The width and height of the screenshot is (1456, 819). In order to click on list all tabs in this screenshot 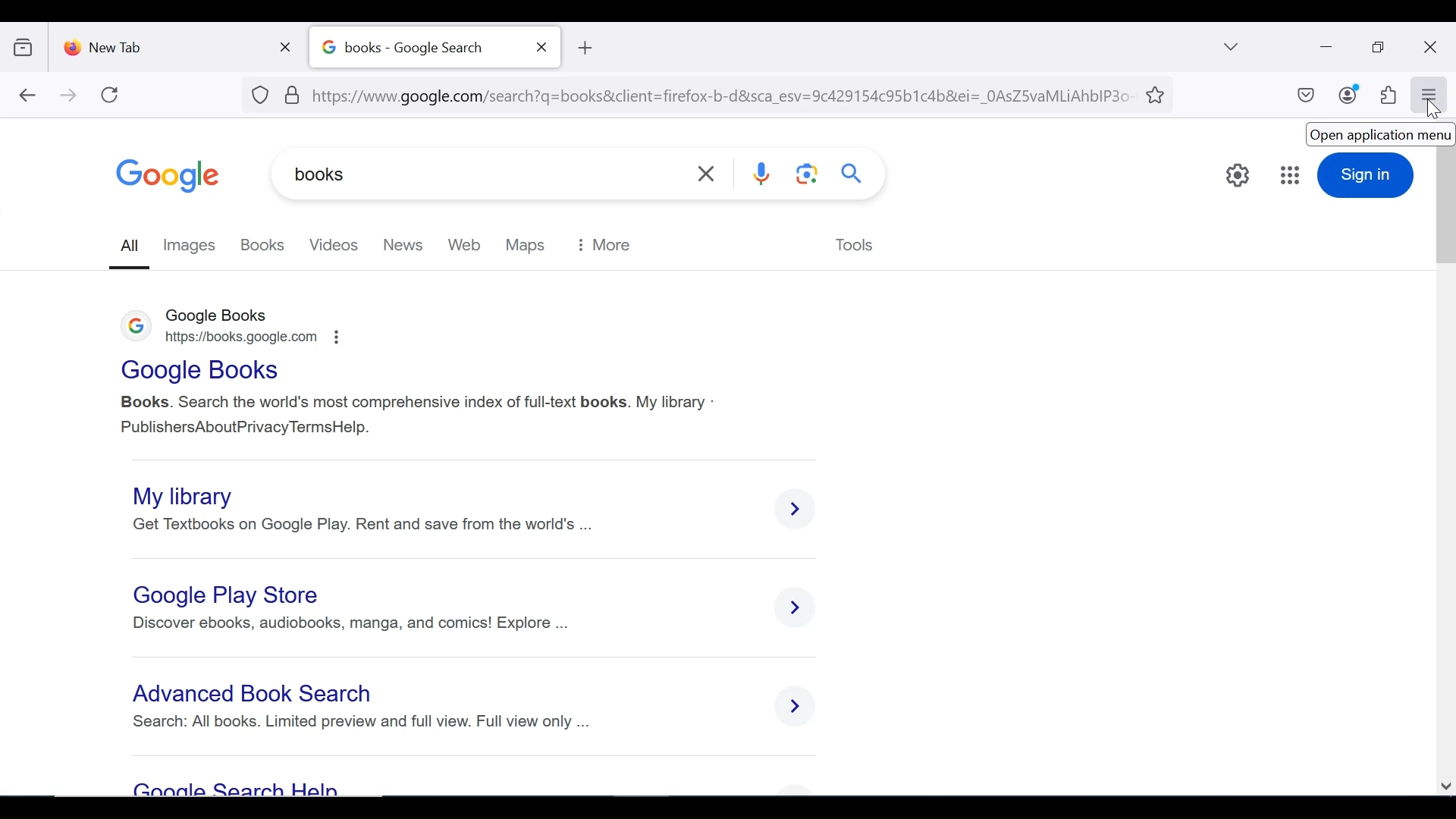, I will do `click(1232, 46)`.